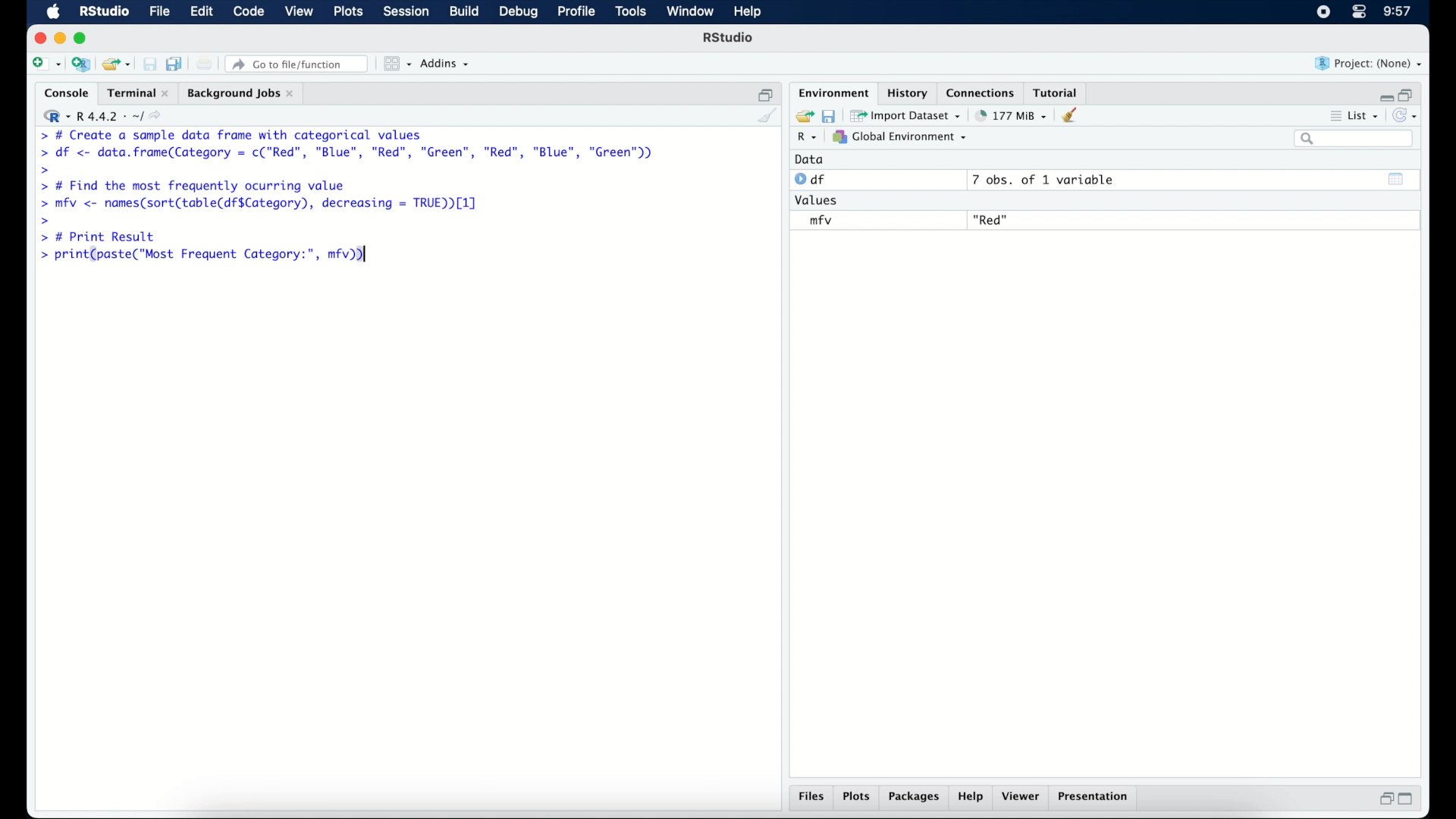 Image resolution: width=1456 pixels, height=819 pixels. What do you see at coordinates (447, 64) in the screenshot?
I see `addins` at bounding box center [447, 64].